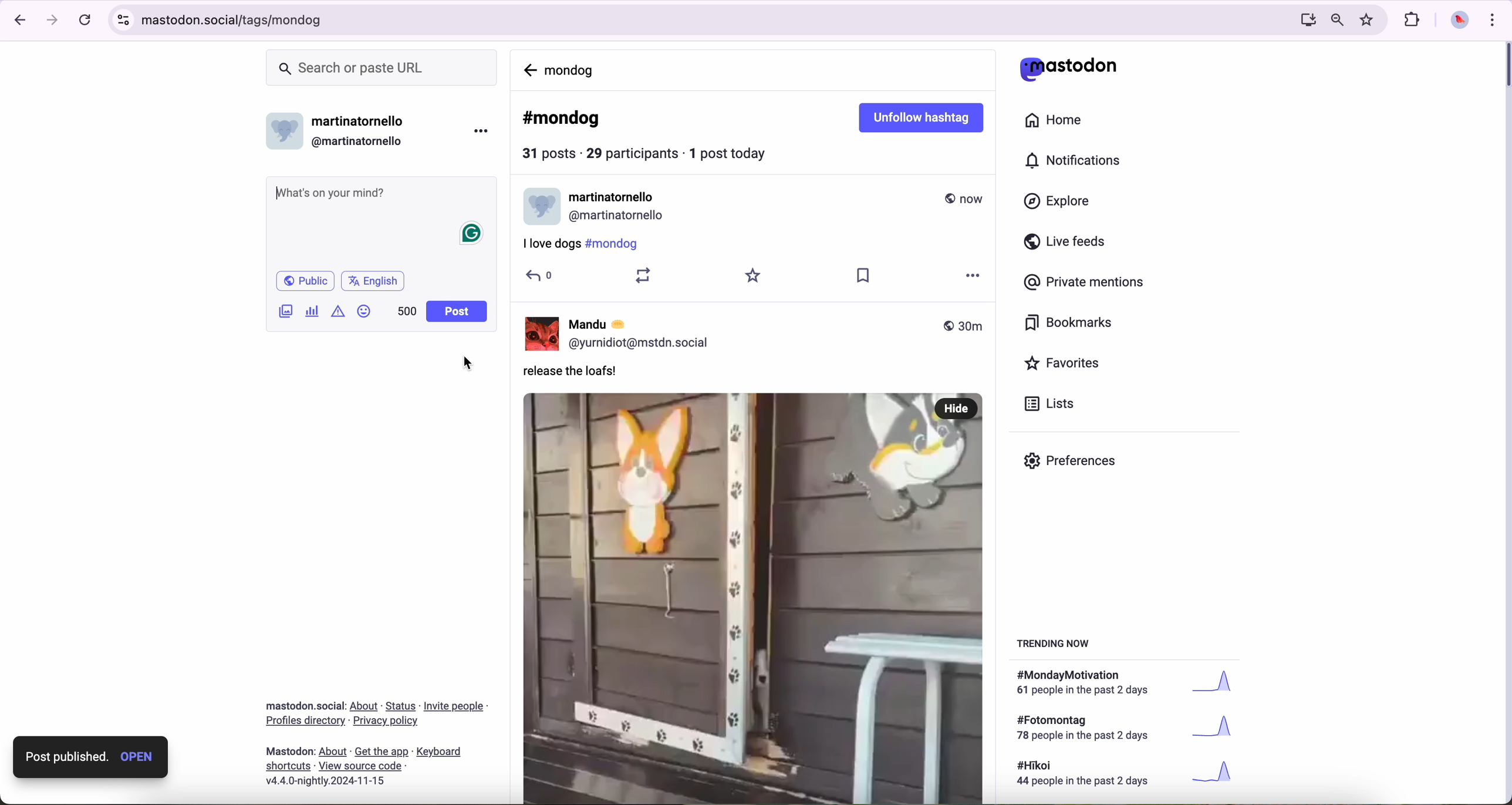 The height and width of the screenshot is (805, 1512). Describe the element at coordinates (387, 720) in the screenshot. I see `link` at that location.